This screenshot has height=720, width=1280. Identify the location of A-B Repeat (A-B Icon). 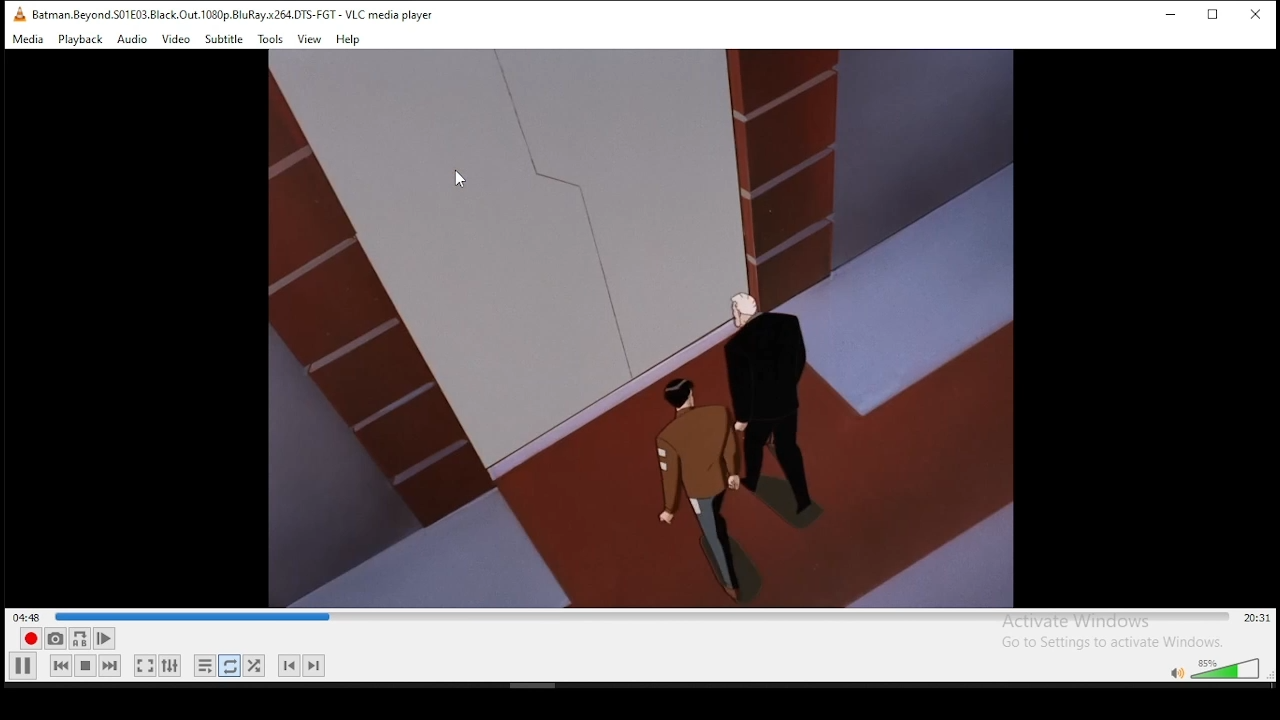
(81, 639).